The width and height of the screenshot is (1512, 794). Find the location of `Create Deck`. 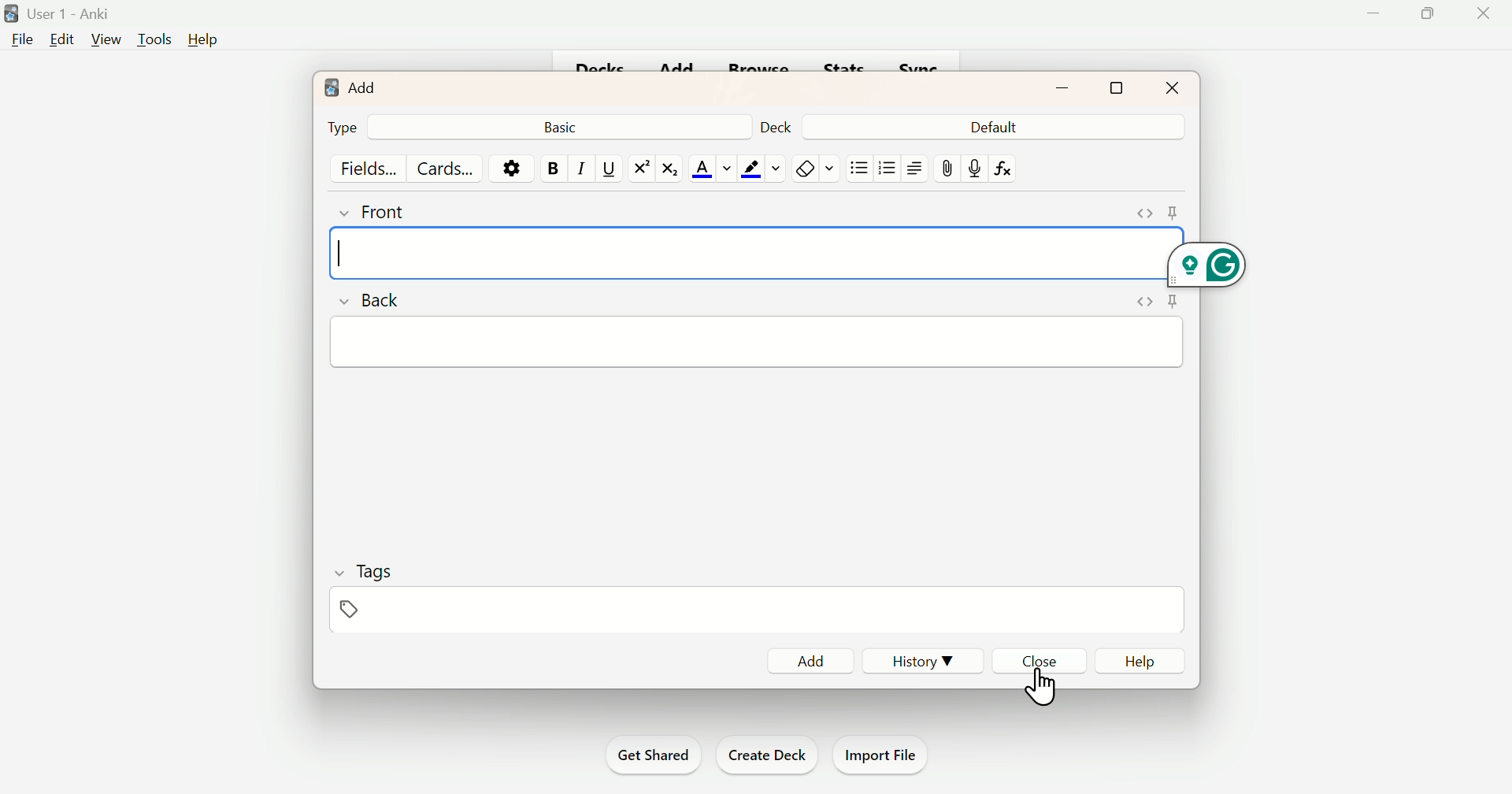

Create Deck is located at coordinates (766, 755).